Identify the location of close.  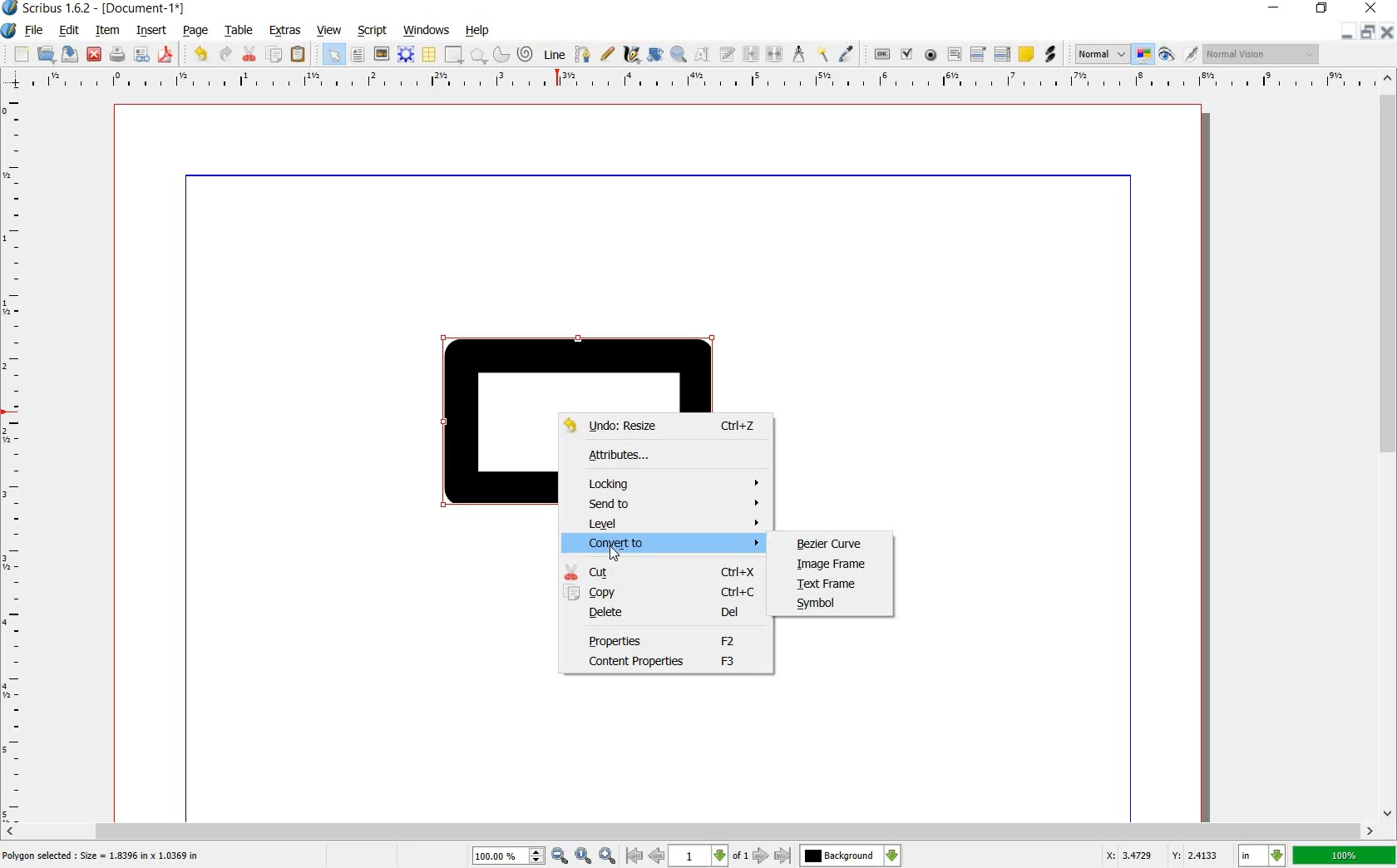
(95, 53).